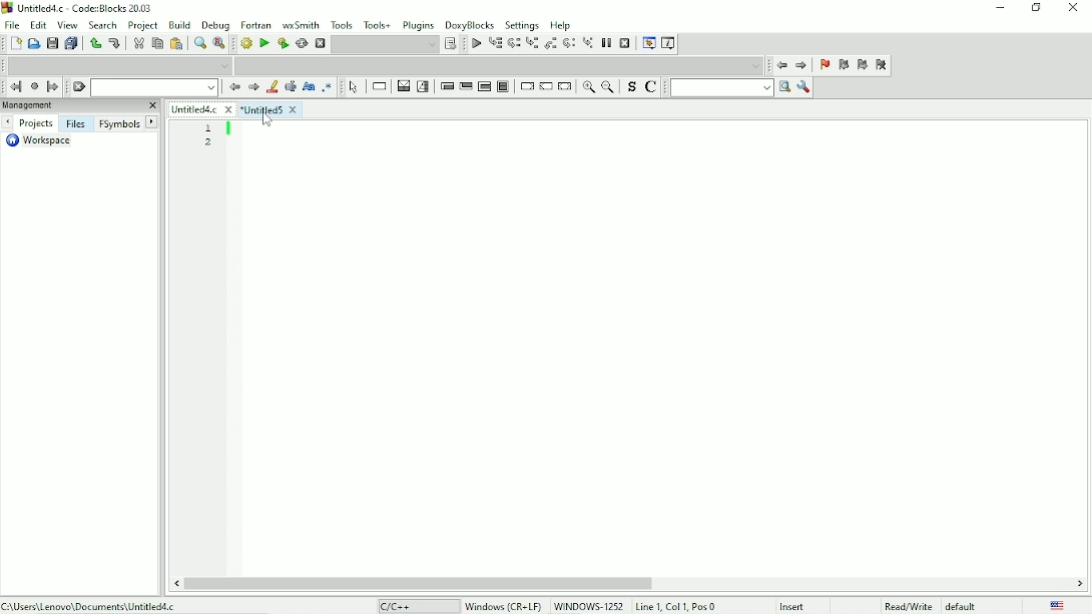 This screenshot has width=1092, height=614. I want to click on Insert, so click(794, 606).